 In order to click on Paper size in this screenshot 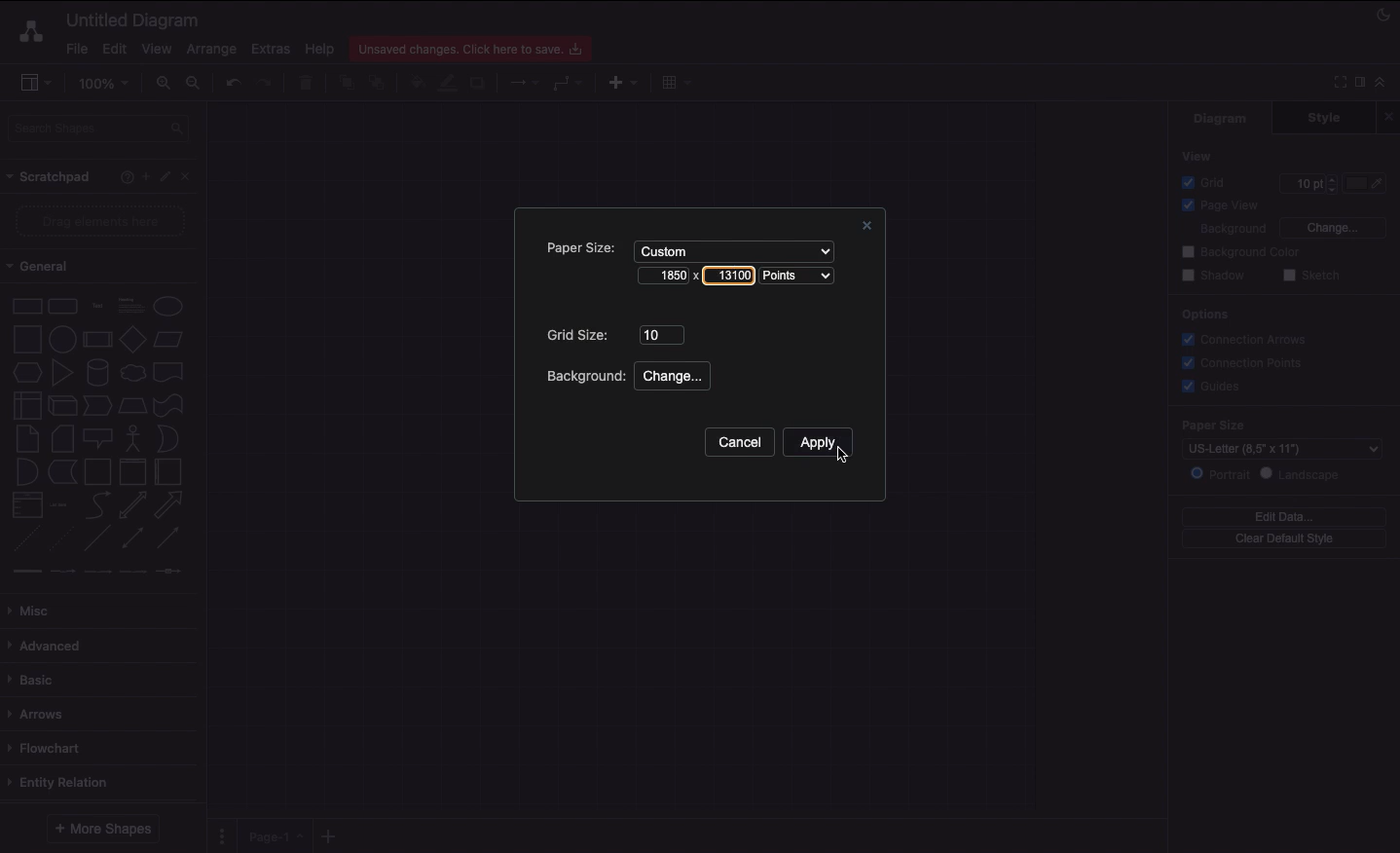, I will do `click(574, 247)`.